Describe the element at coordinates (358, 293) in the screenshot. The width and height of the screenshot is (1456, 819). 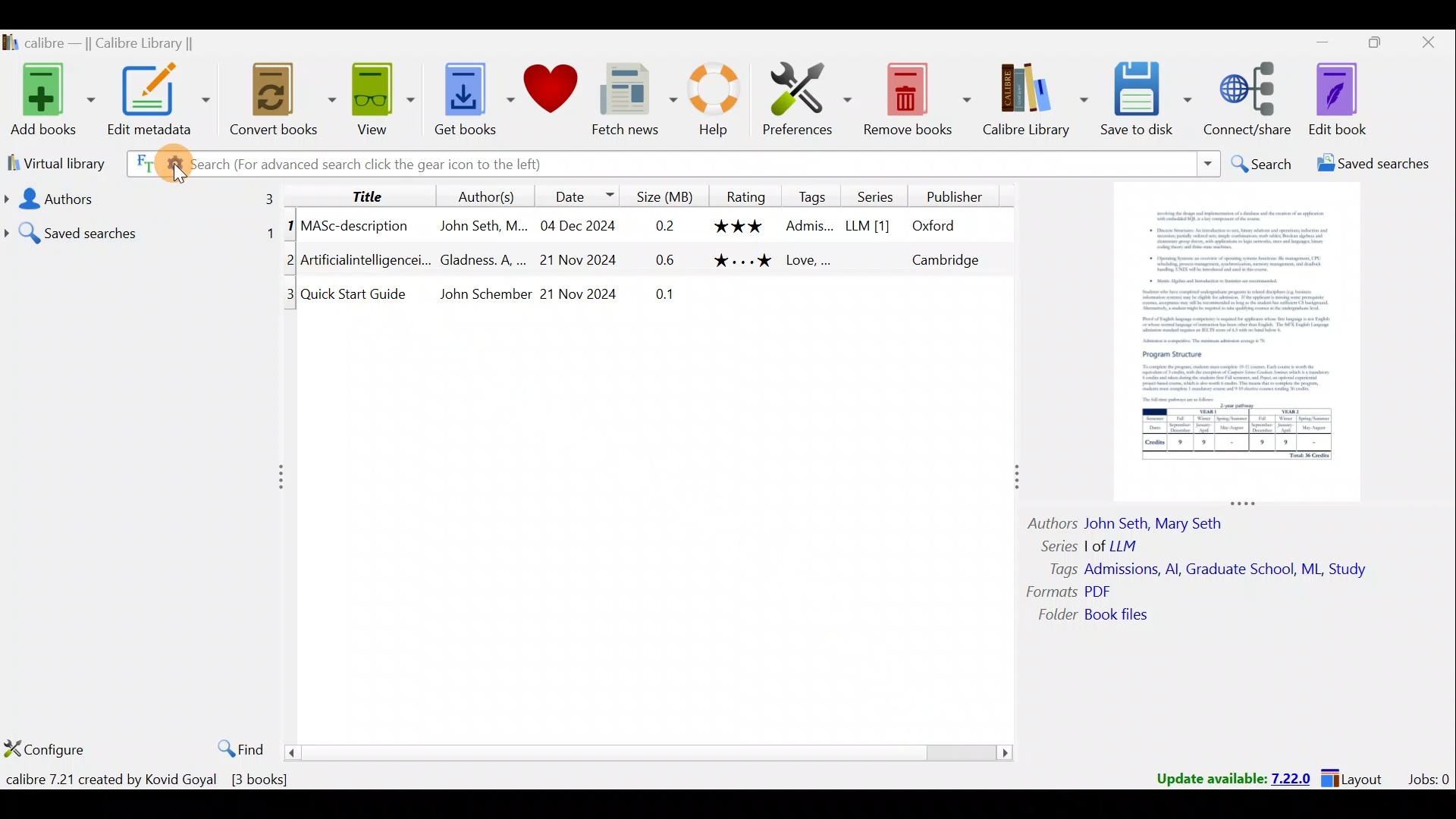
I see `Quick Start Guide` at that location.